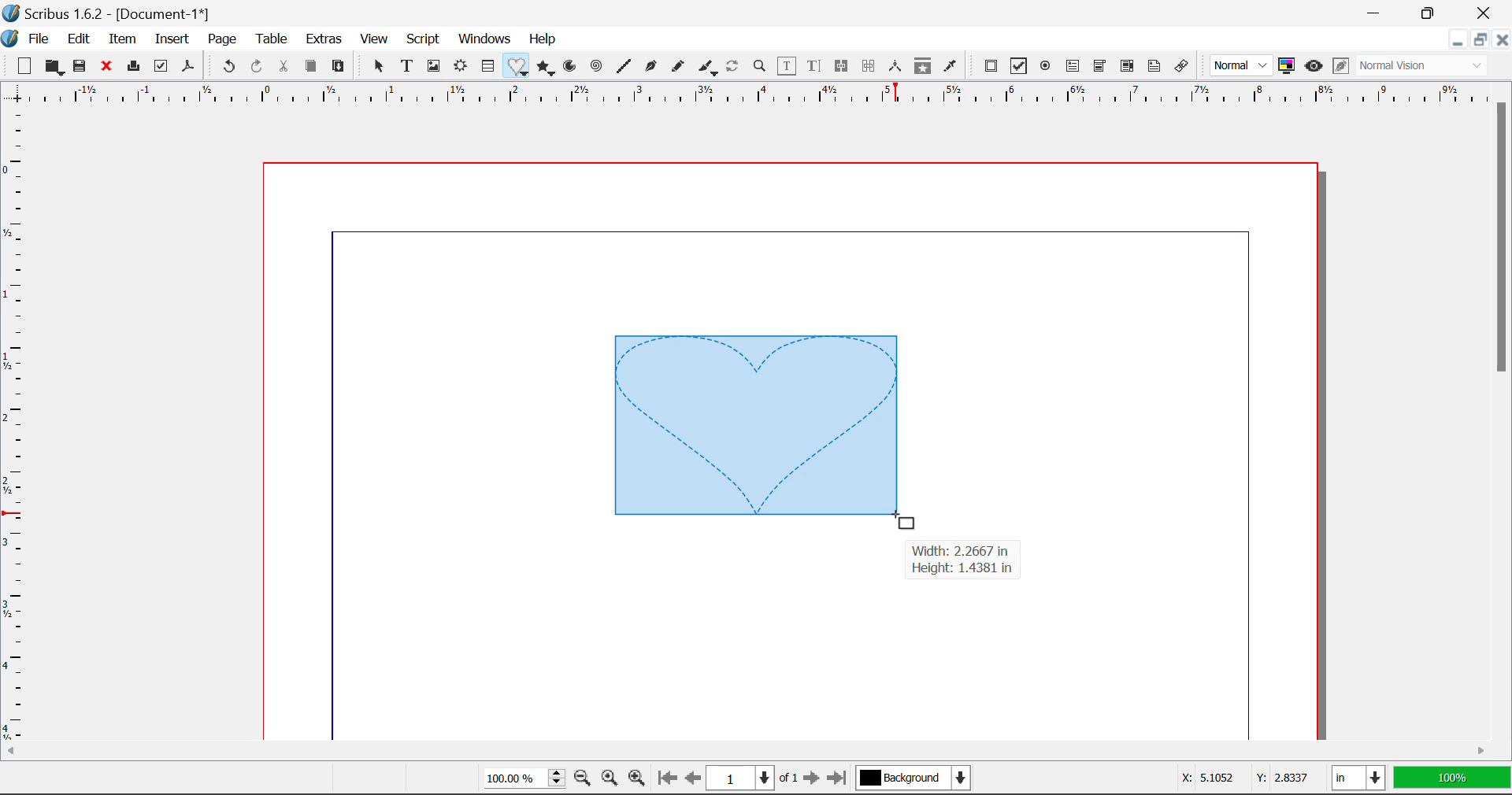  What do you see at coordinates (55, 67) in the screenshot?
I see `Open` at bounding box center [55, 67].